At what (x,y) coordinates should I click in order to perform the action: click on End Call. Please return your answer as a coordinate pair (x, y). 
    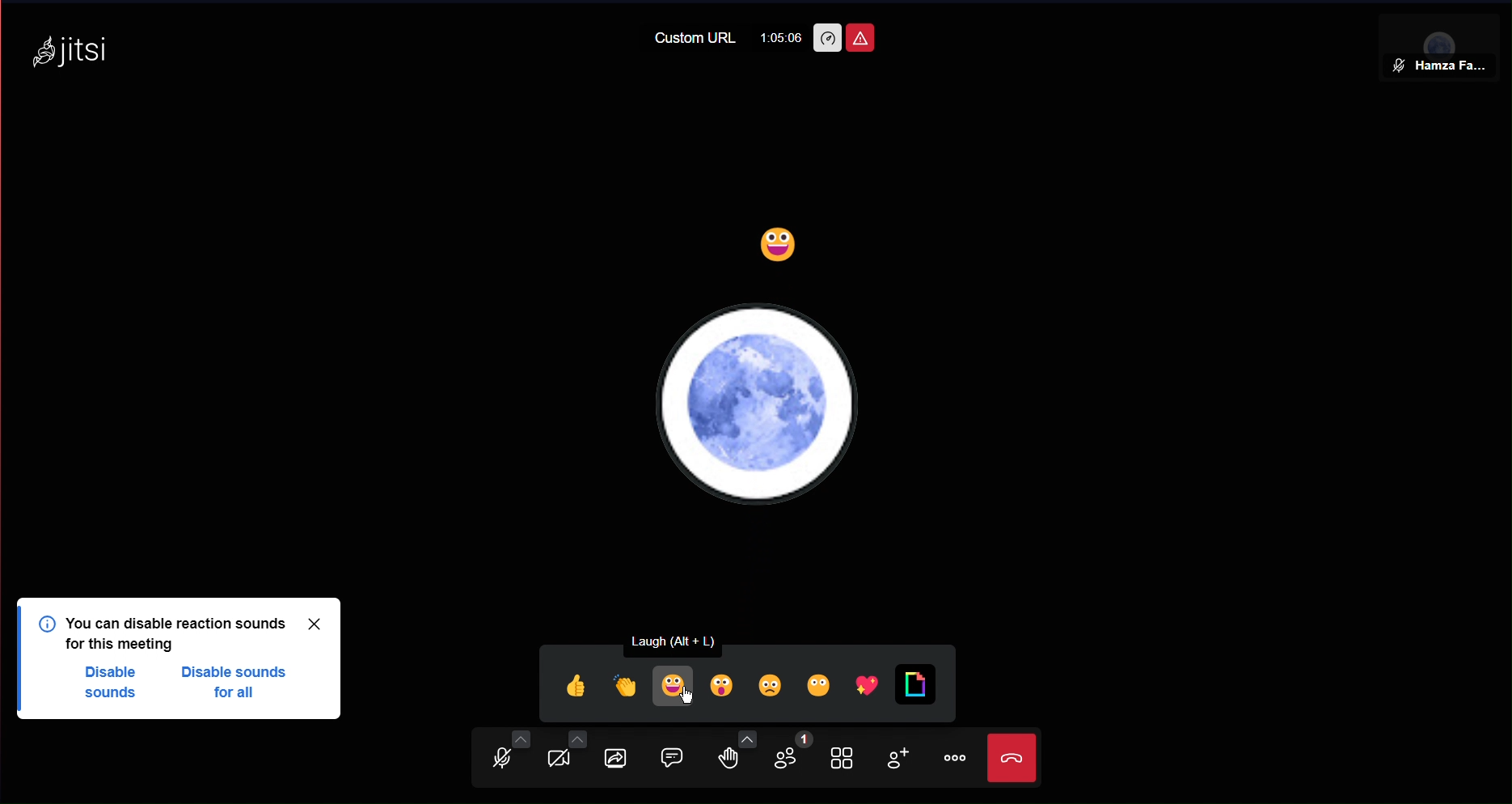
    Looking at the image, I should click on (1016, 760).